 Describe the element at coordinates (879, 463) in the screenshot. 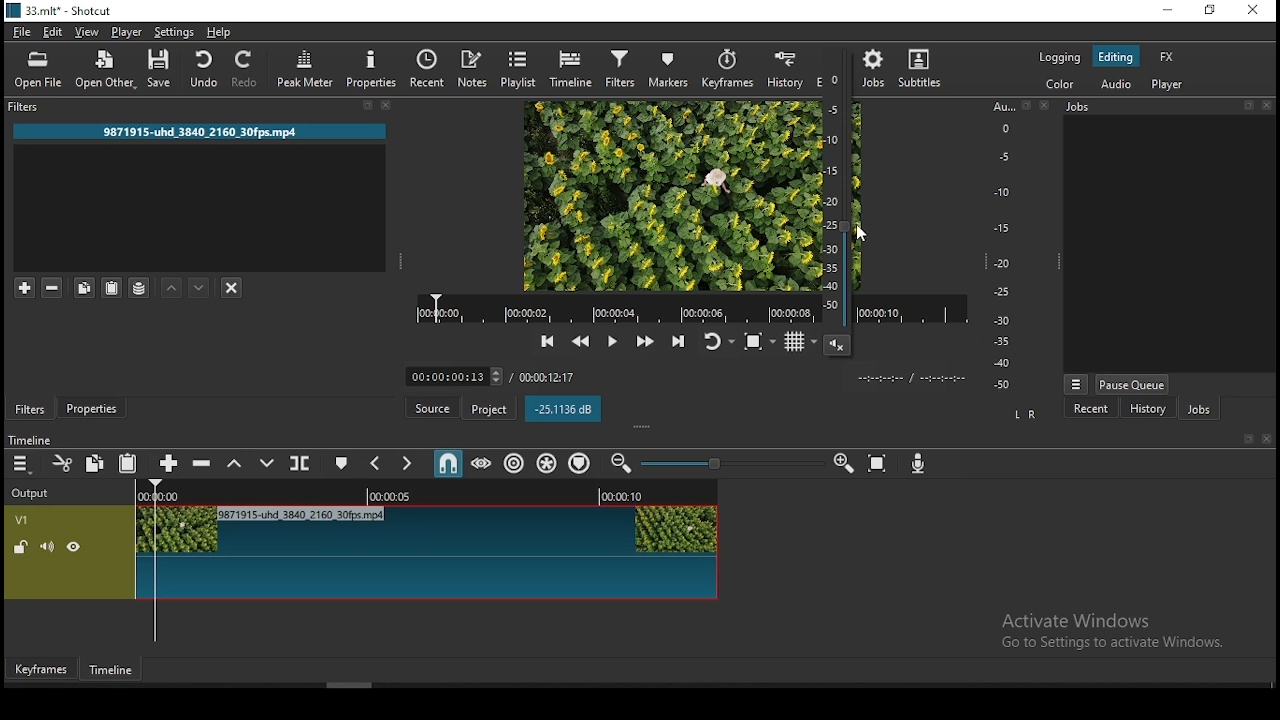

I see `zoom timeline to fit` at that location.